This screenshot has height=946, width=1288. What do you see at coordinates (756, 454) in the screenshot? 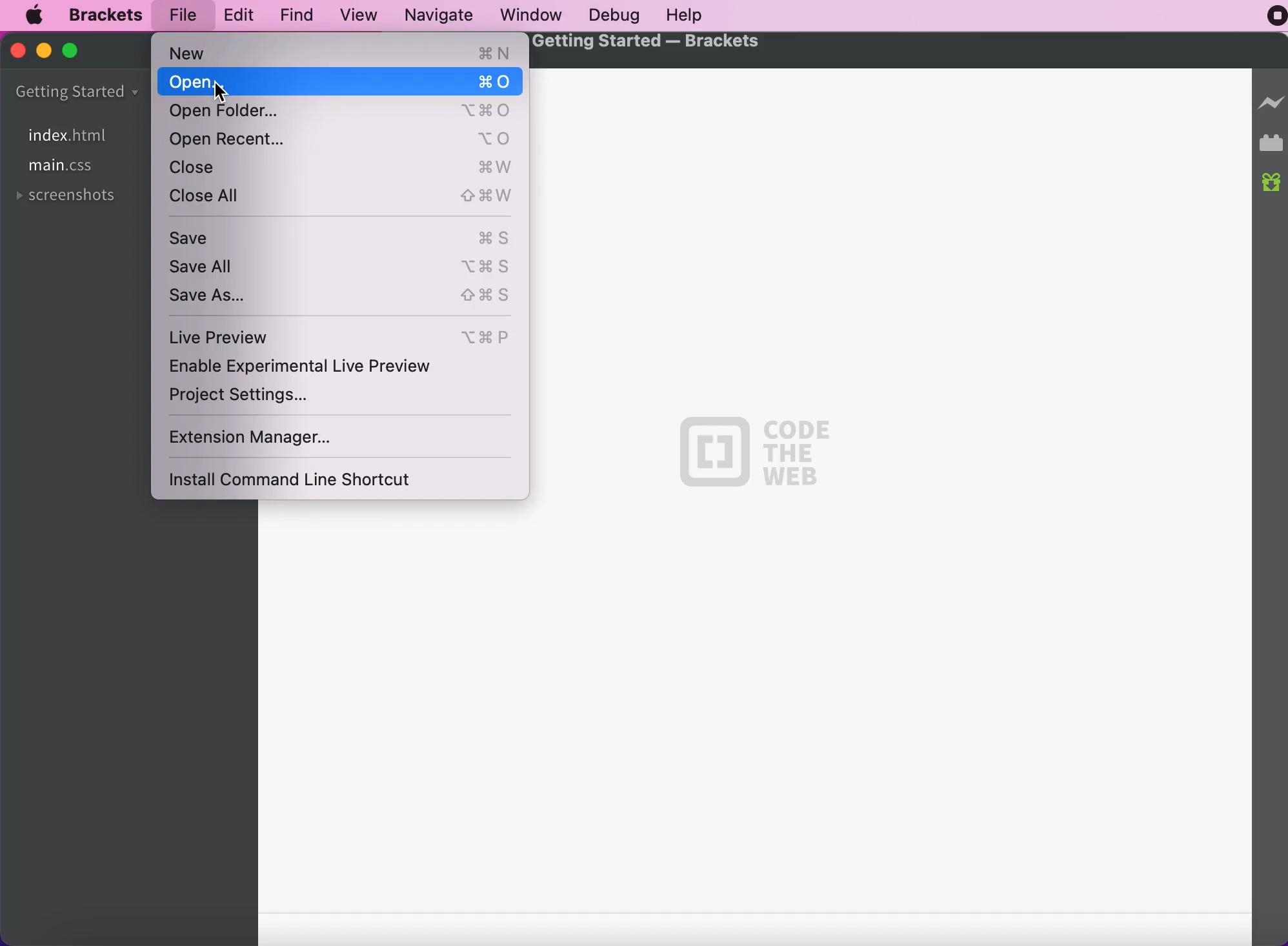
I see `CODE THE WEB` at bounding box center [756, 454].